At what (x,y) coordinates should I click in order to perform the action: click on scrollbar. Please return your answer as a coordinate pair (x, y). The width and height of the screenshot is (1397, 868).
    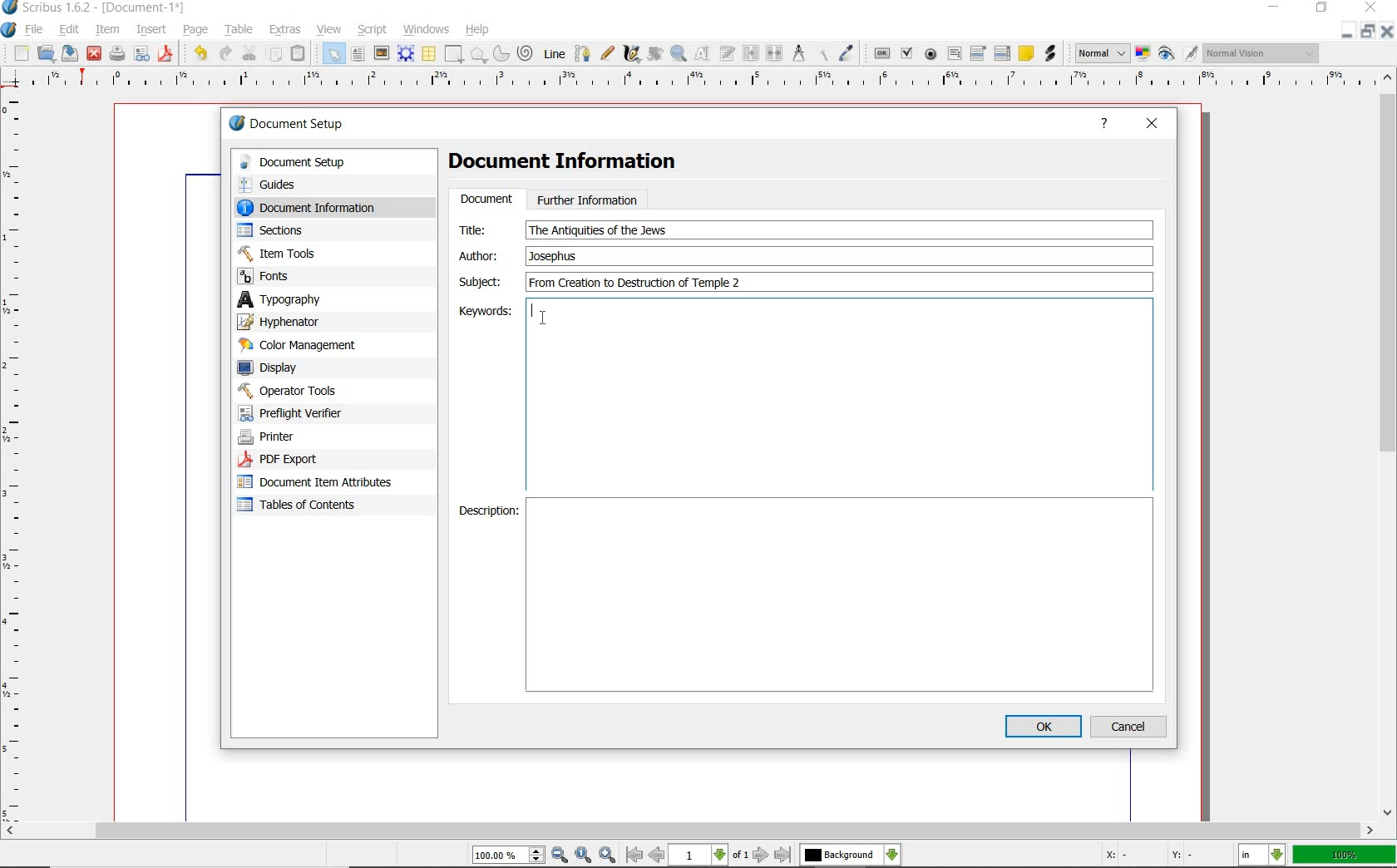
    Looking at the image, I should click on (689, 831).